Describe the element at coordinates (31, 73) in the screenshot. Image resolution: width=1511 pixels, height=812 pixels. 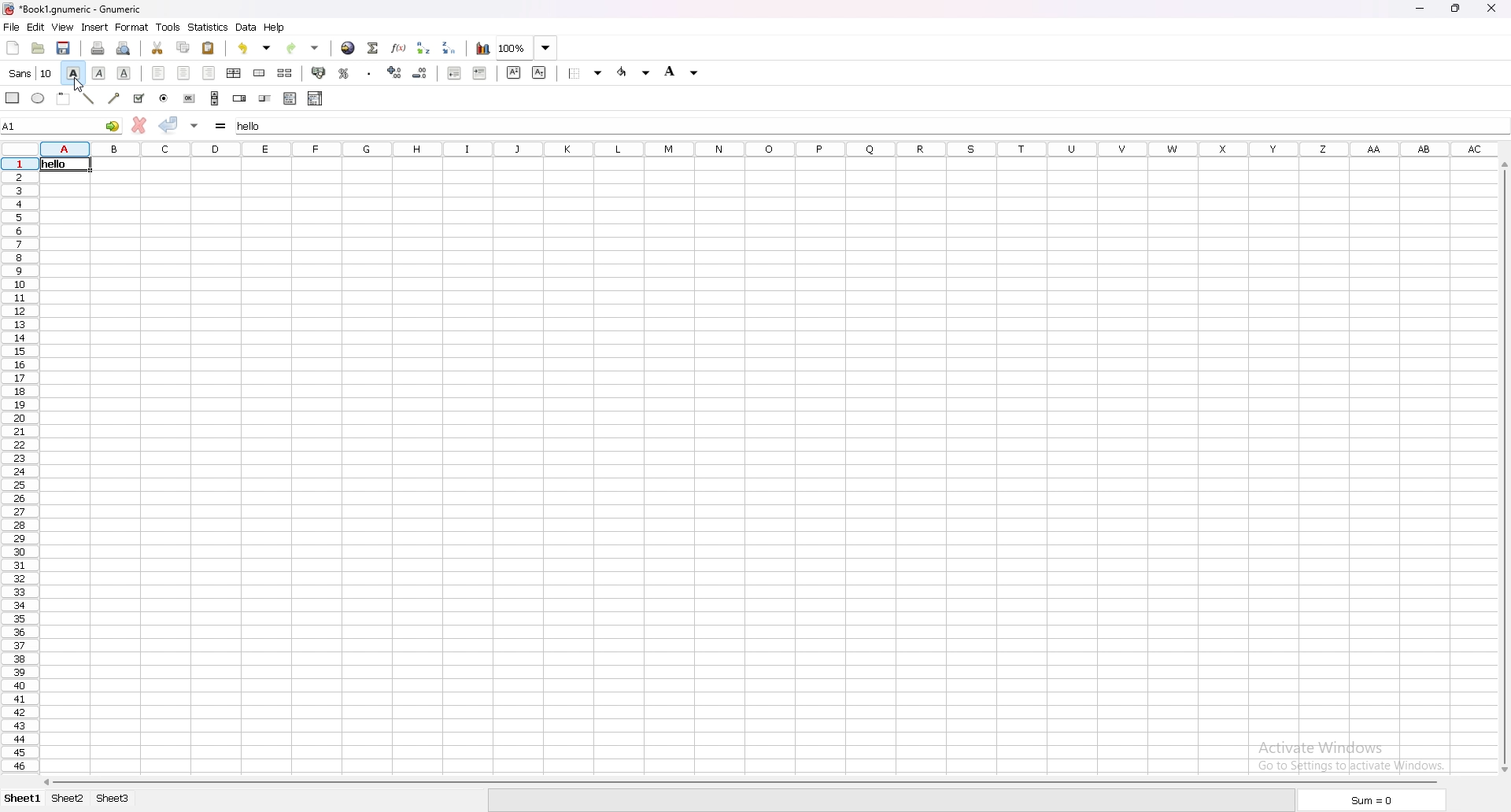
I see `font` at that location.